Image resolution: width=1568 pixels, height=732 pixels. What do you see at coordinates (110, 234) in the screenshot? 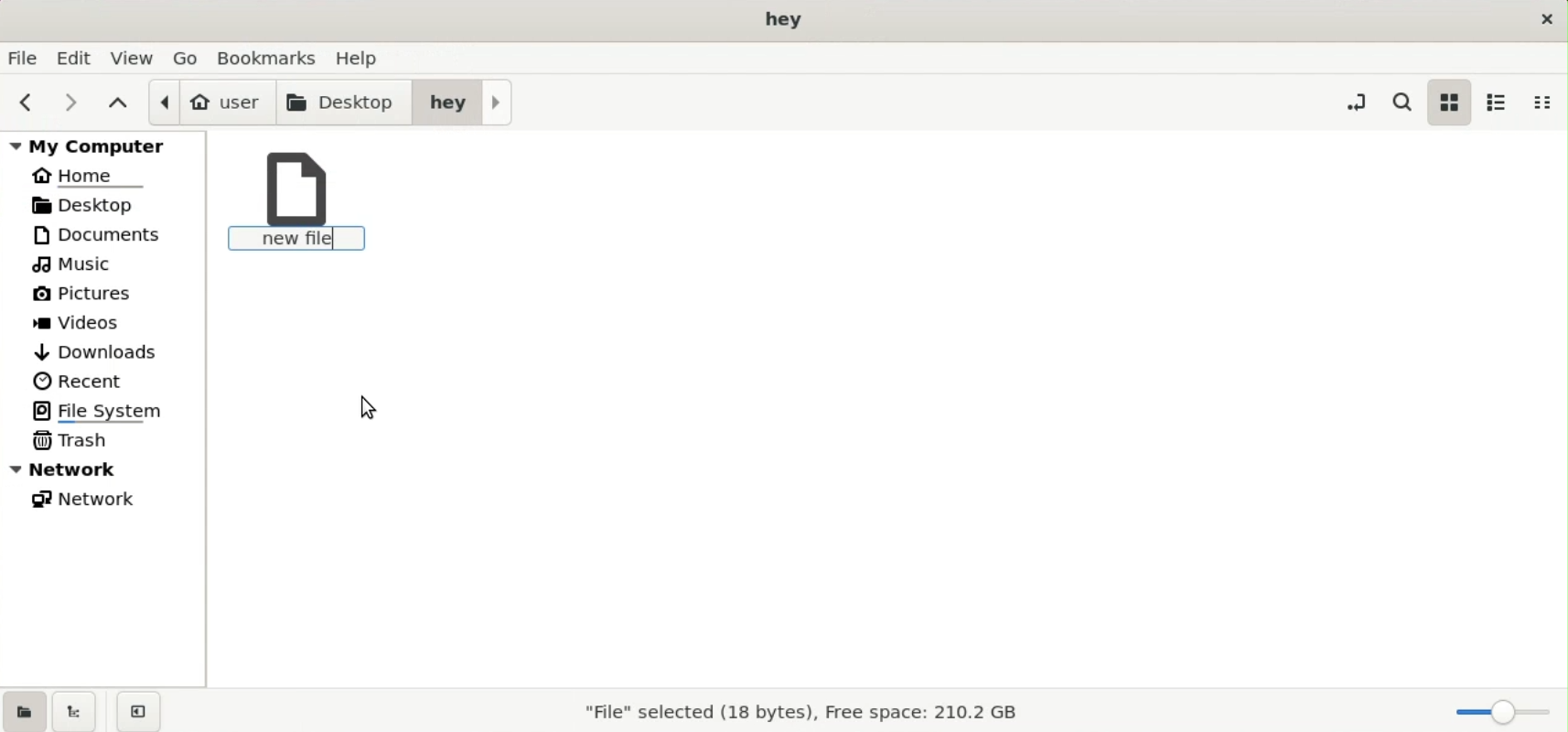
I see `document` at bounding box center [110, 234].